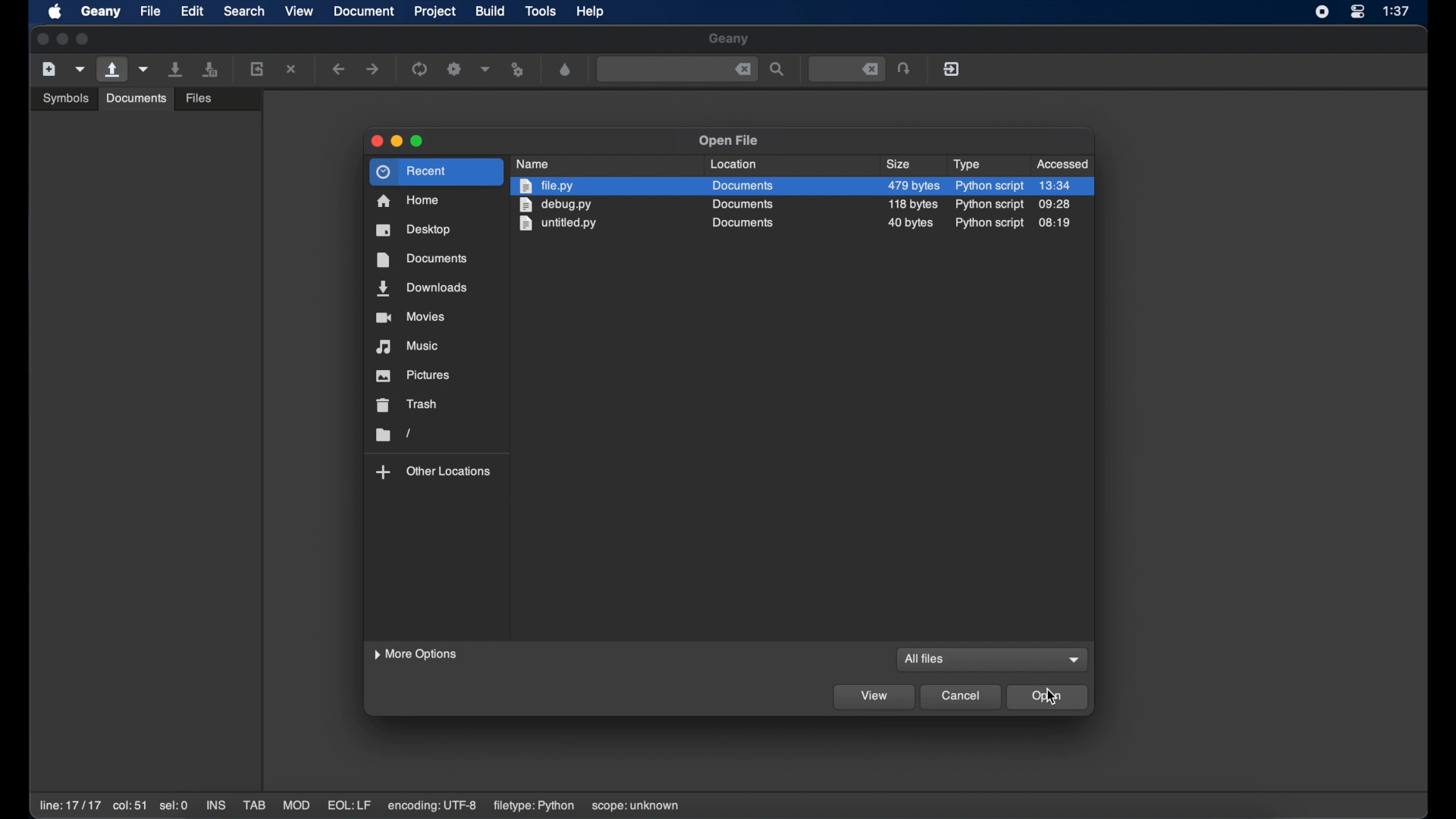  What do you see at coordinates (1056, 222) in the screenshot?
I see `08:19` at bounding box center [1056, 222].